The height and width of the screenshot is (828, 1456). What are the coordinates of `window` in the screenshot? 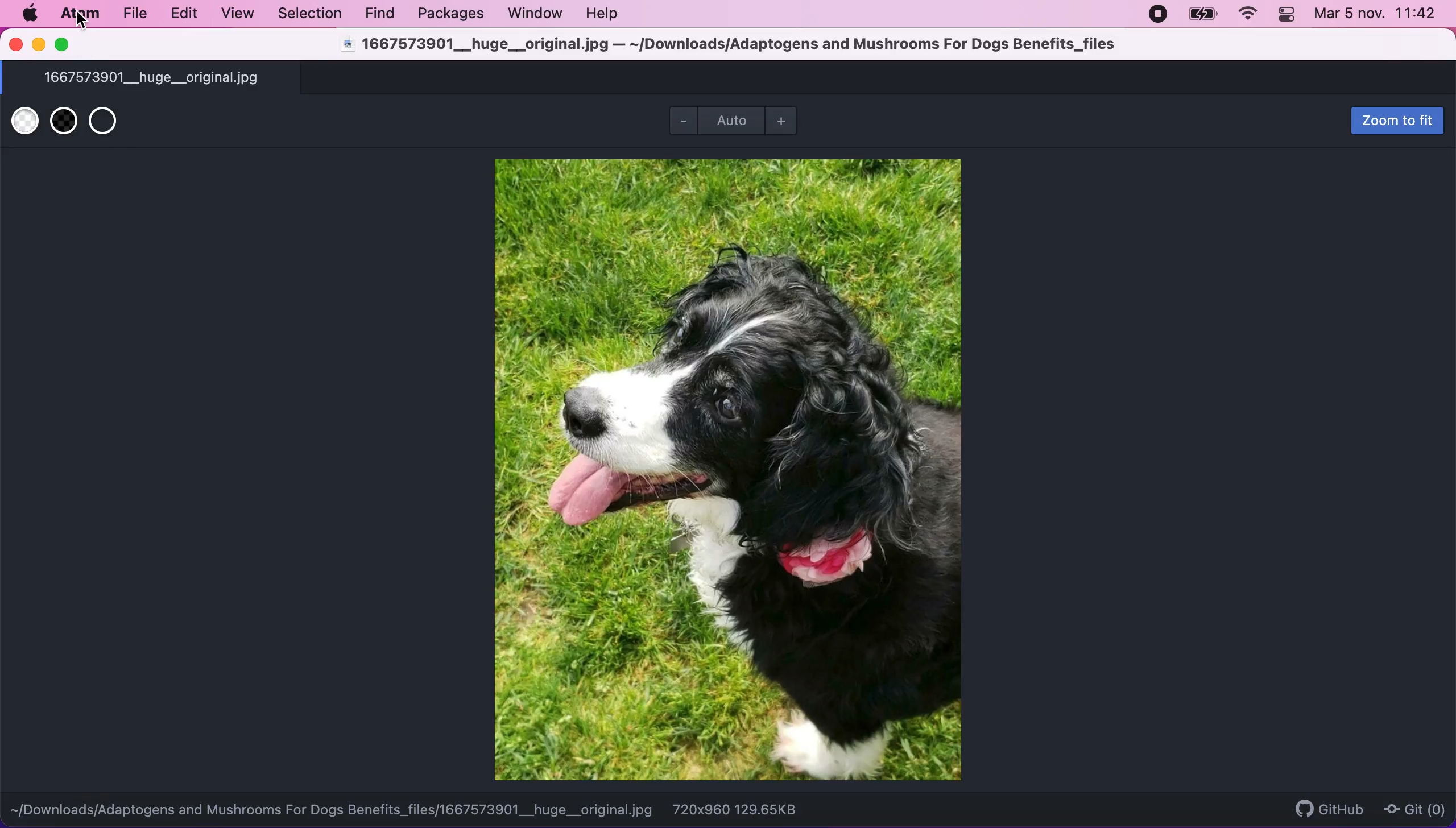 It's located at (537, 15).